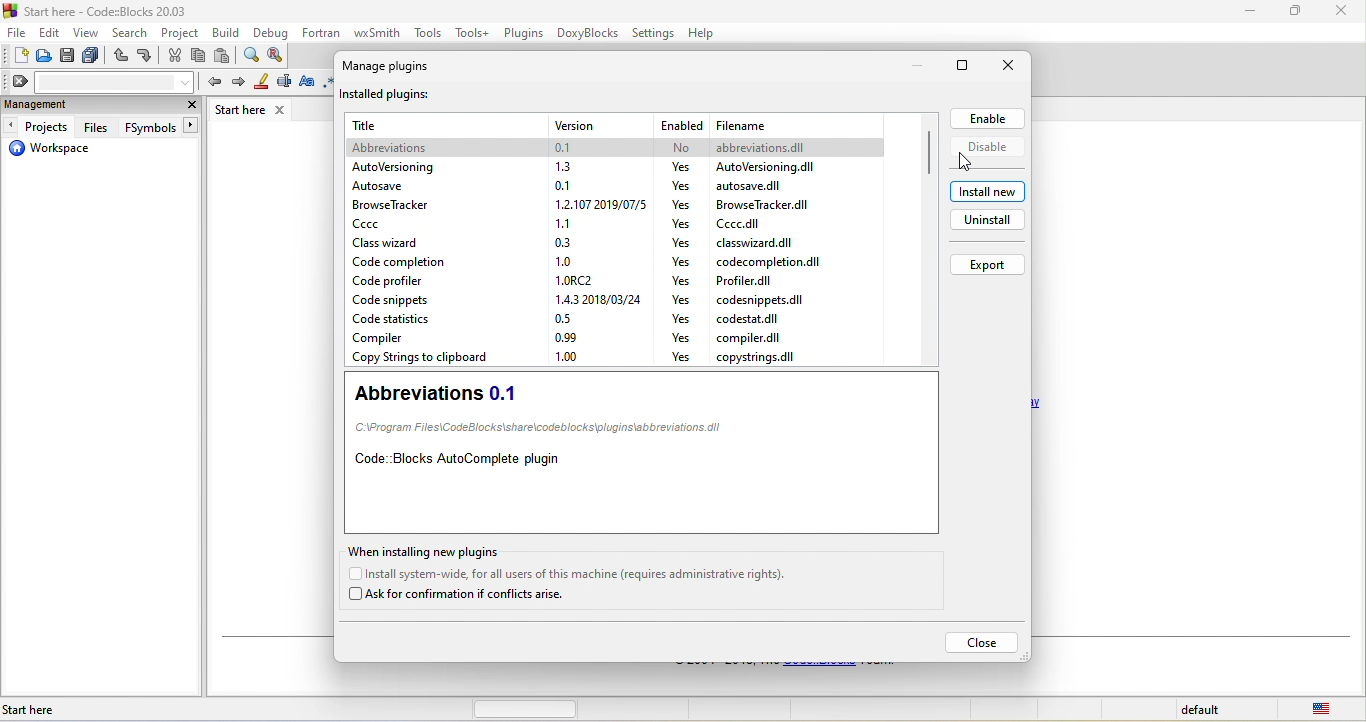 The image size is (1366, 722). Describe the element at coordinates (680, 281) in the screenshot. I see `yes` at that location.